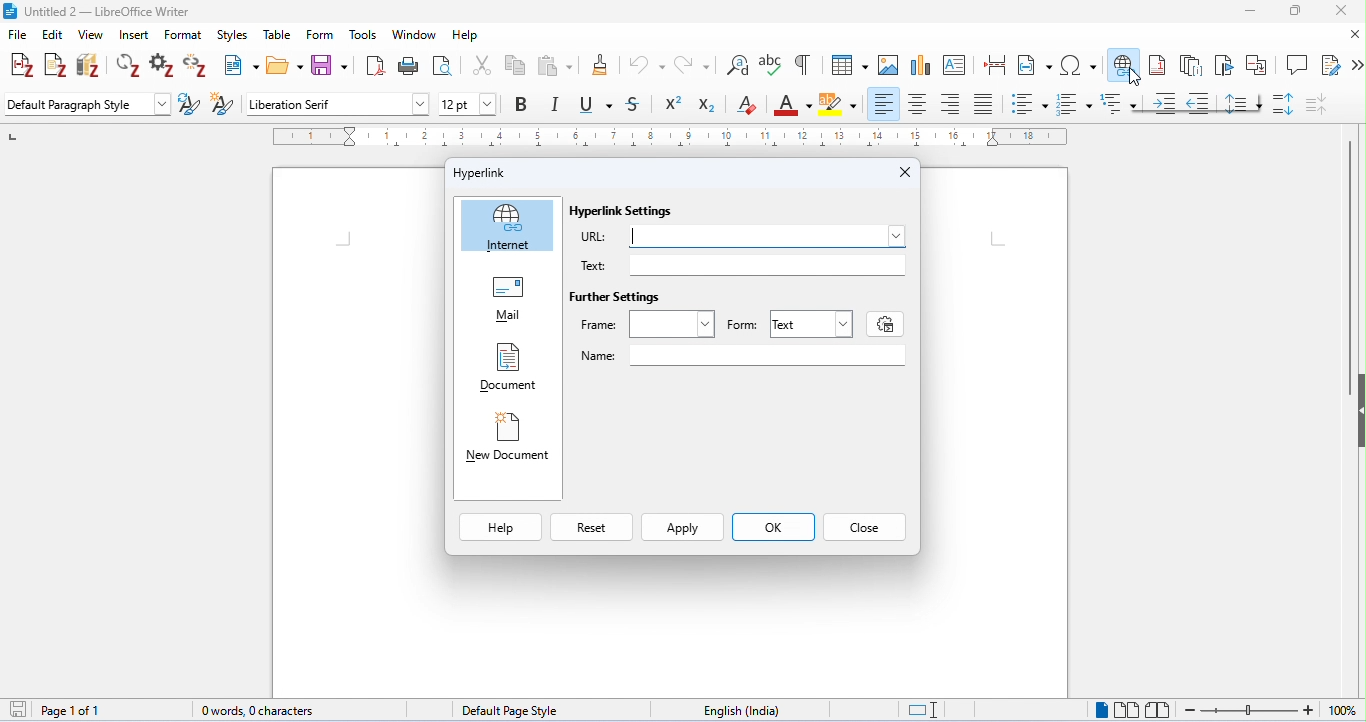  What do you see at coordinates (674, 104) in the screenshot?
I see `superscript` at bounding box center [674, 104].